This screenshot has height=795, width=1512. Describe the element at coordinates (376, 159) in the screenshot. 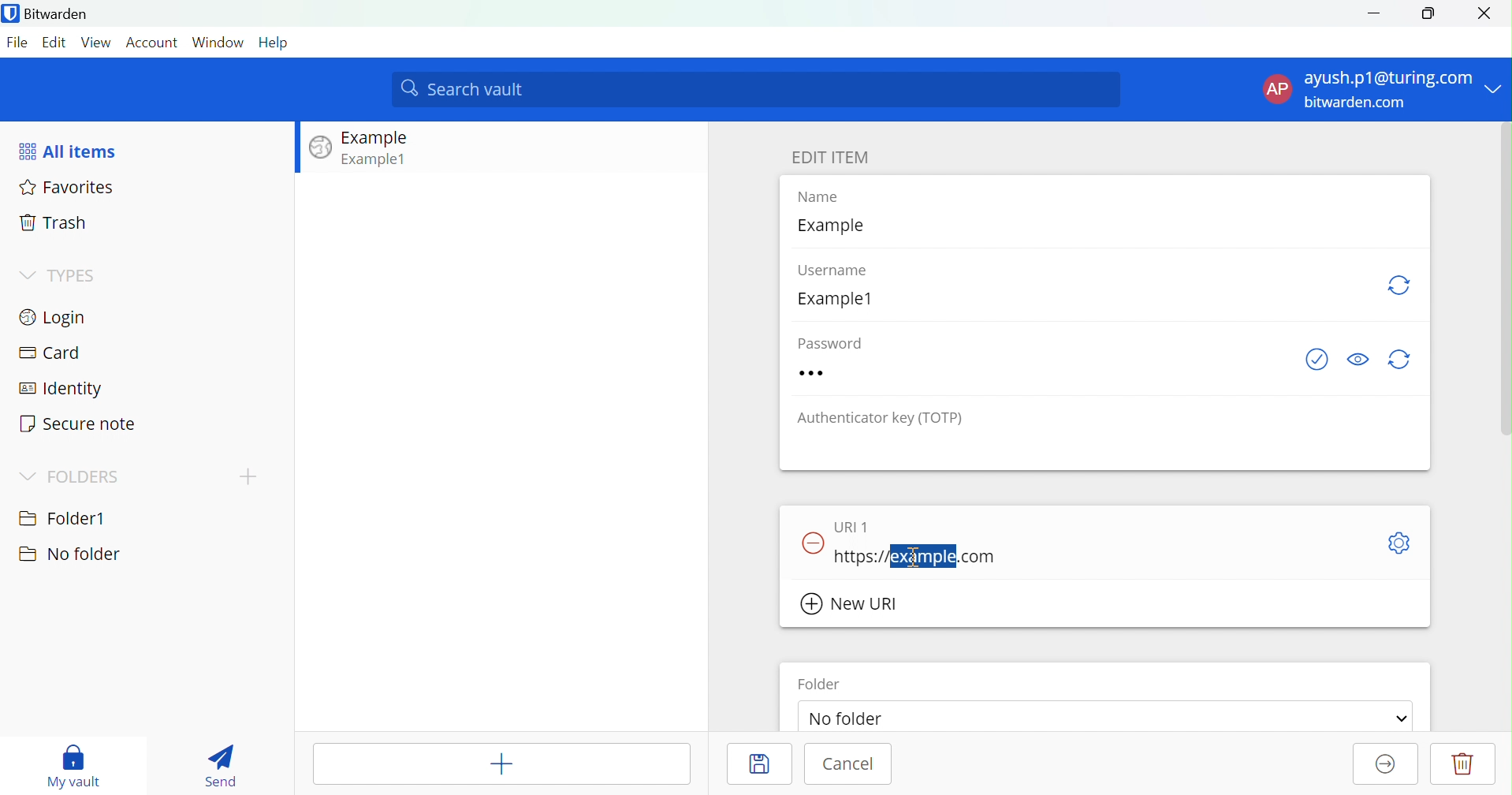

I see `Example1` at that location.